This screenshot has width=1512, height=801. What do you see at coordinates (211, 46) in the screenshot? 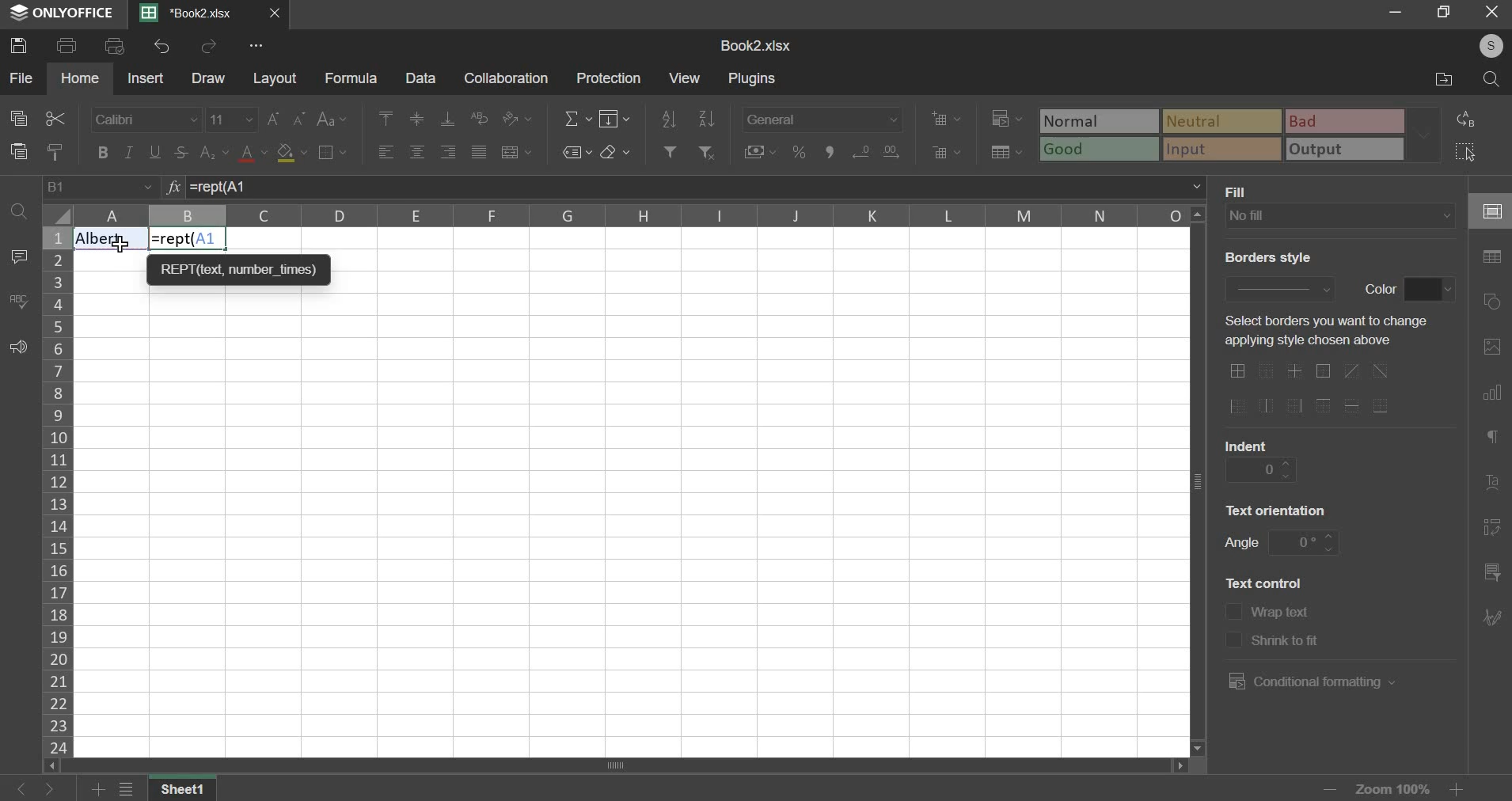
I see `redo` at bounding box center [211, 46].